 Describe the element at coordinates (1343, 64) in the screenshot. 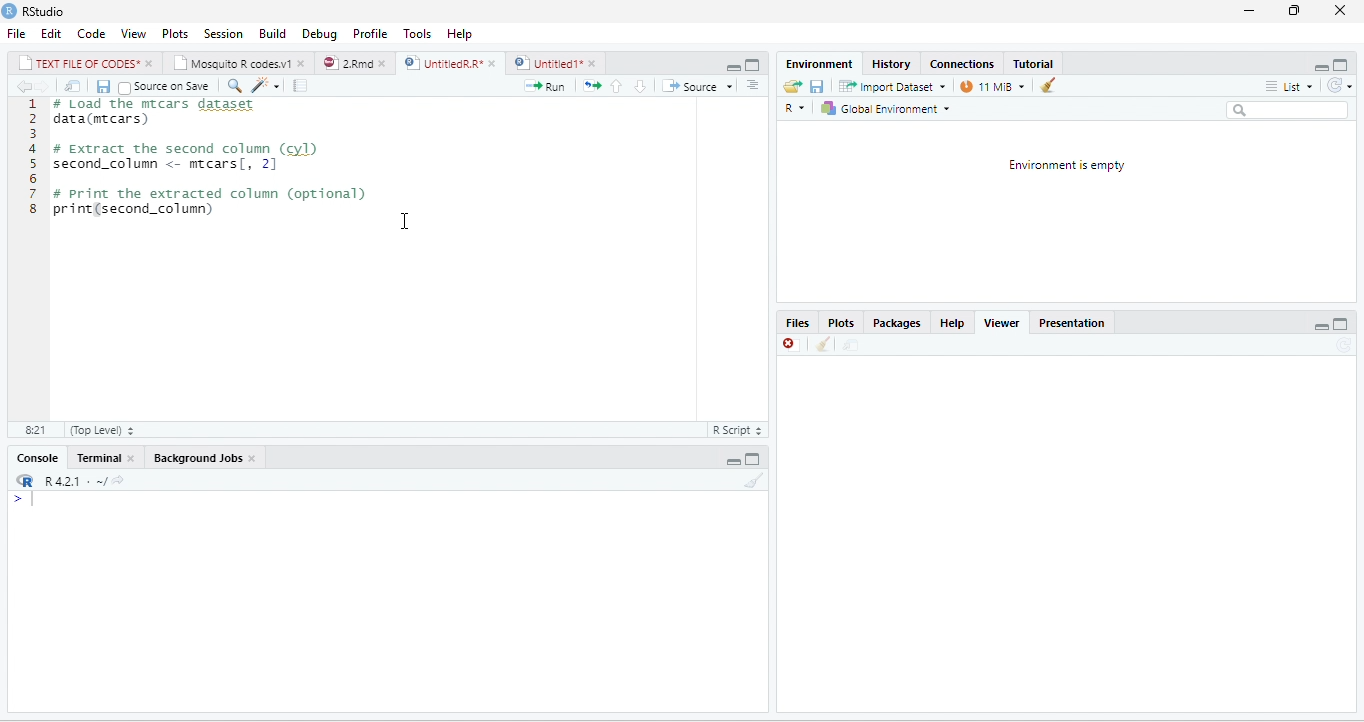

I see `maximize` at that location.